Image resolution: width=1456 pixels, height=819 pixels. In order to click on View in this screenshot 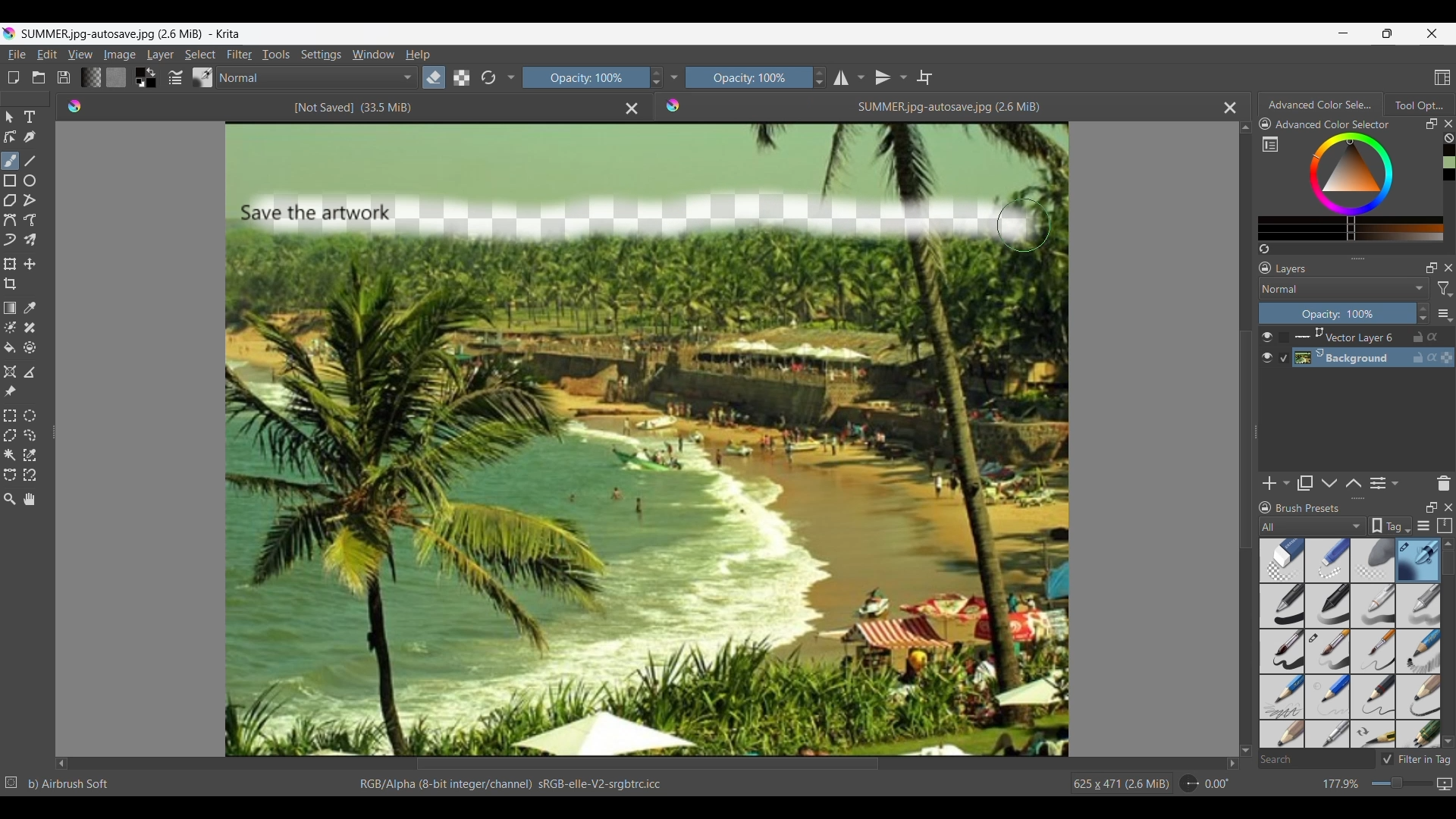, I will do `click(81, 54)`.